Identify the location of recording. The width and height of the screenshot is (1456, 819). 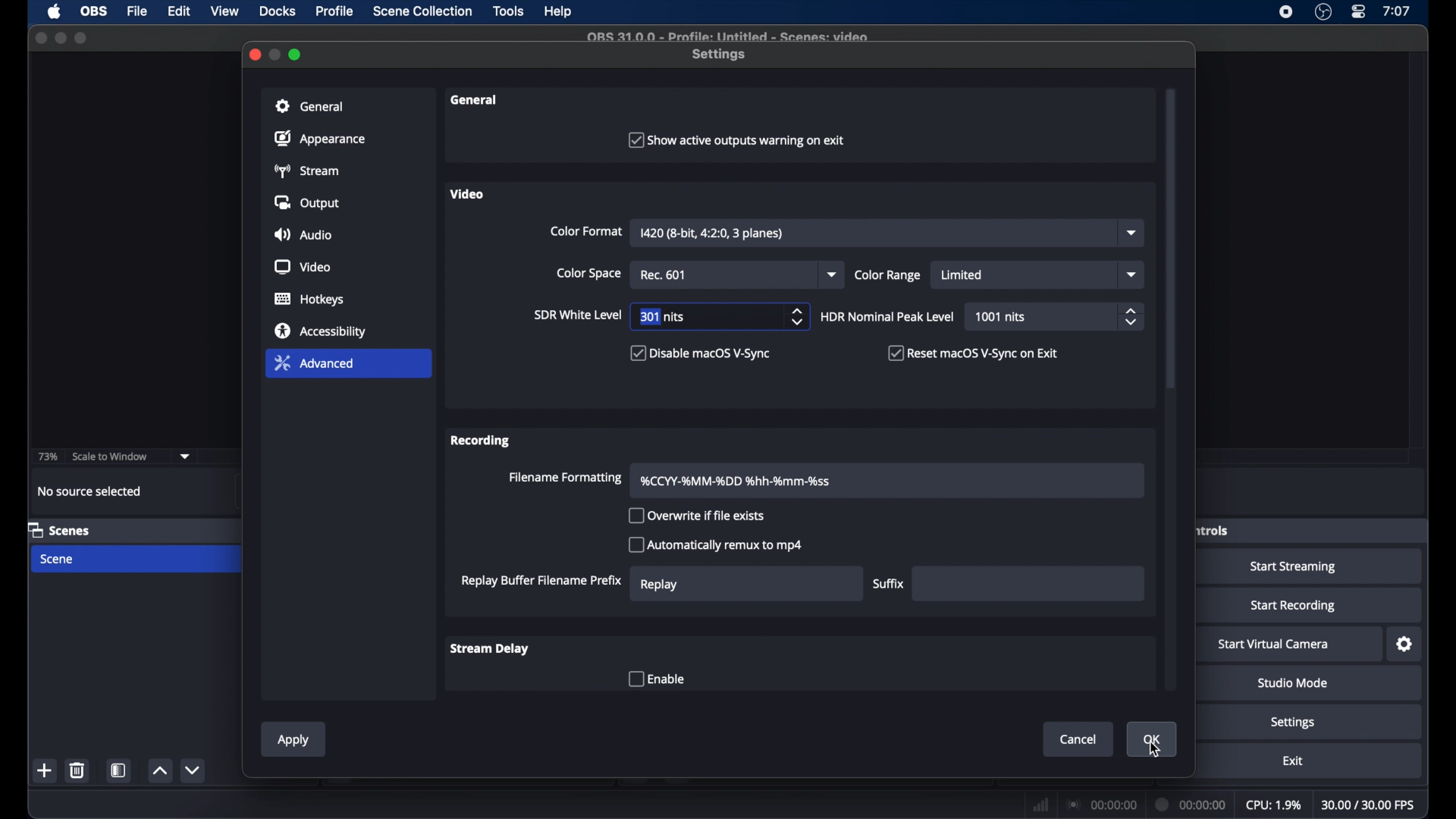
(482, 441).